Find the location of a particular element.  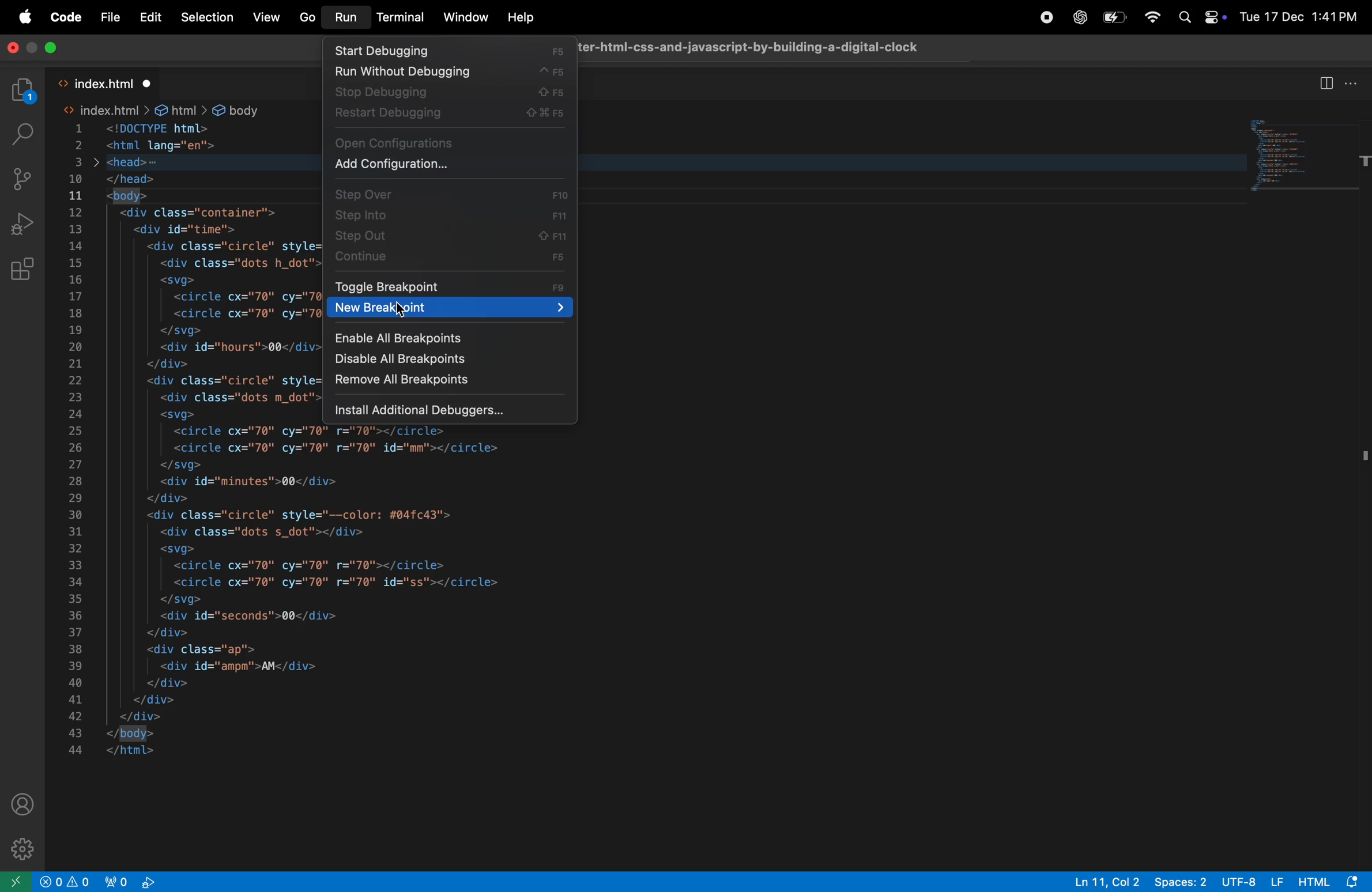

split terminal is located at coordinates (1326, 82).